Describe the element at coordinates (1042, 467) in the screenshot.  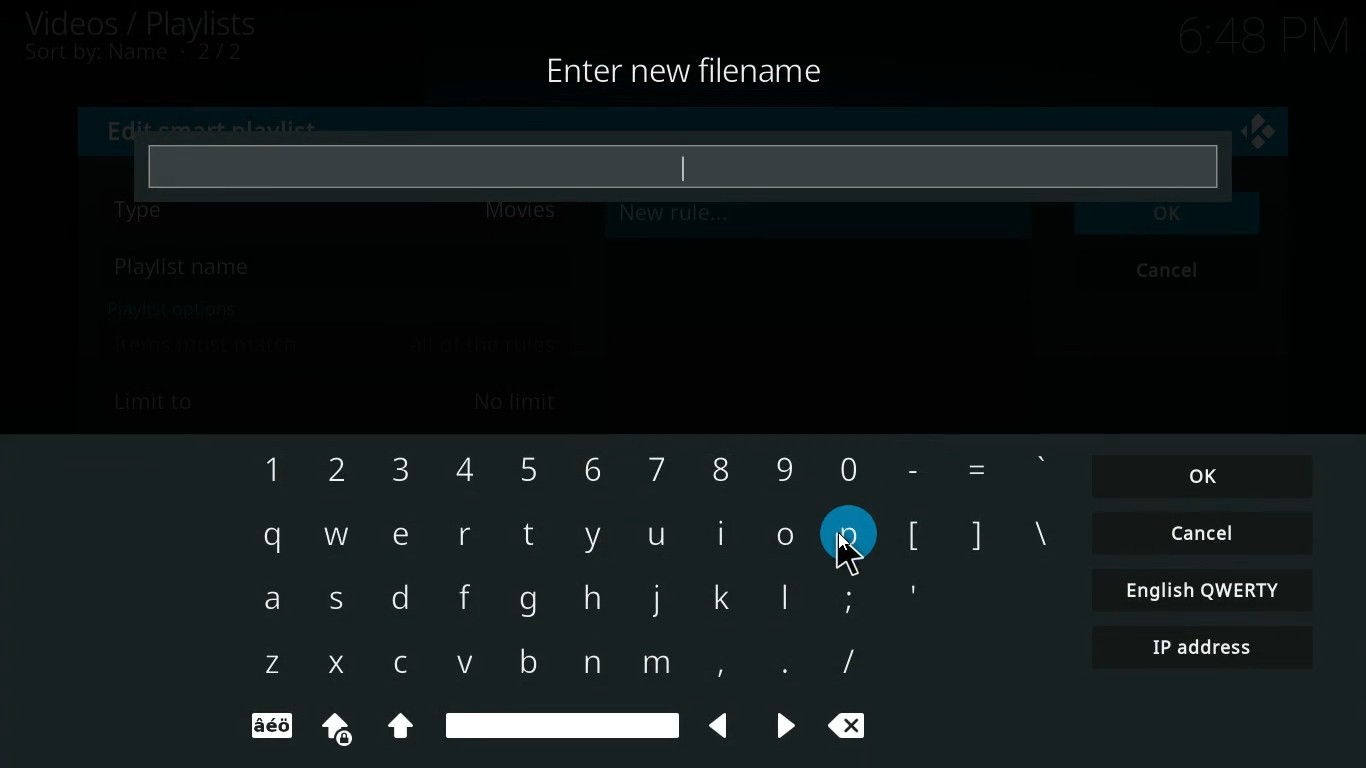
I see `'` at that location.